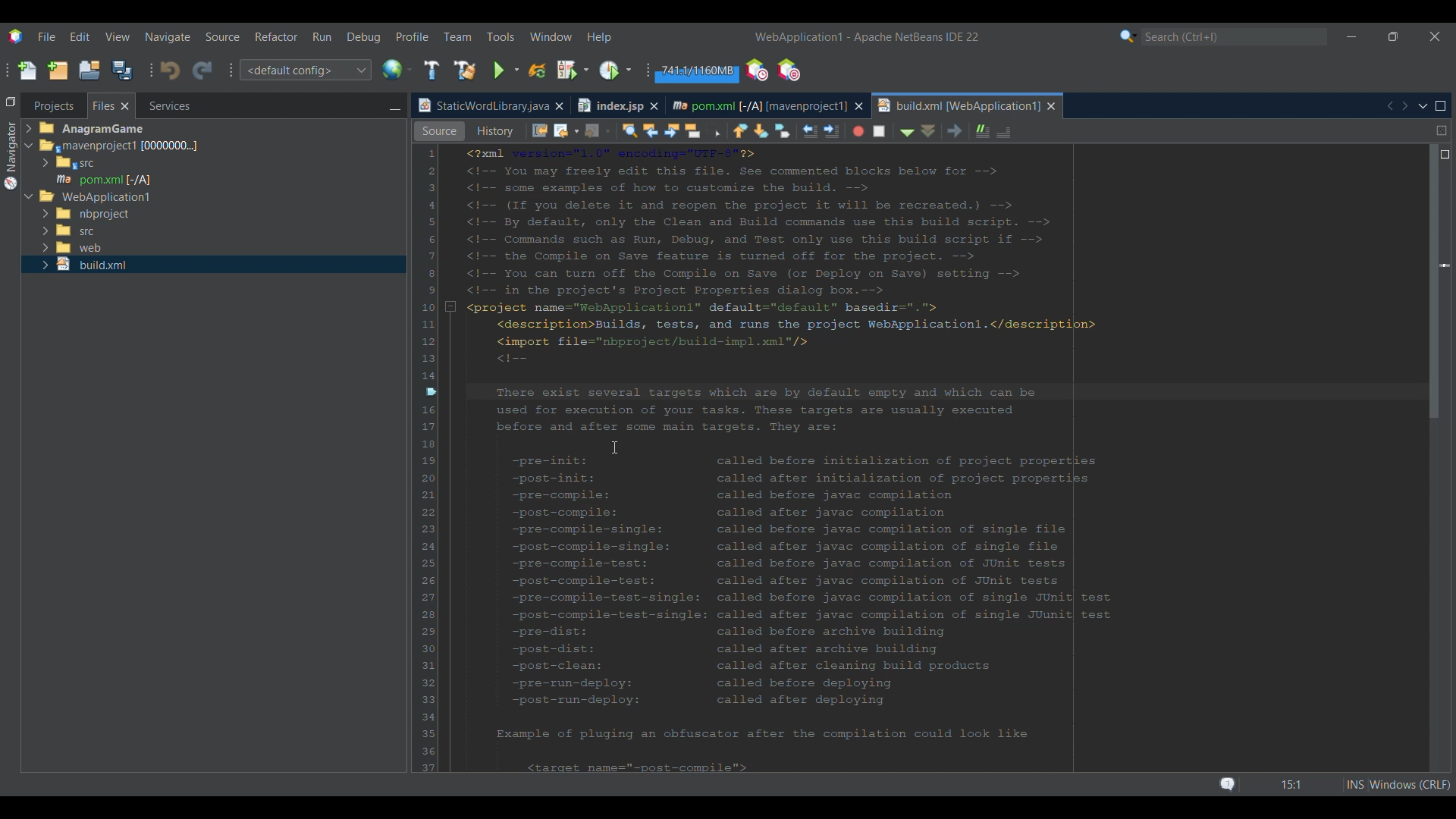 The width and height of the screenshot is (1456, 819). What do you see at coordinates (322, 36) in the screenshot?
I see `Run menu` at bounding box center [322, 36].